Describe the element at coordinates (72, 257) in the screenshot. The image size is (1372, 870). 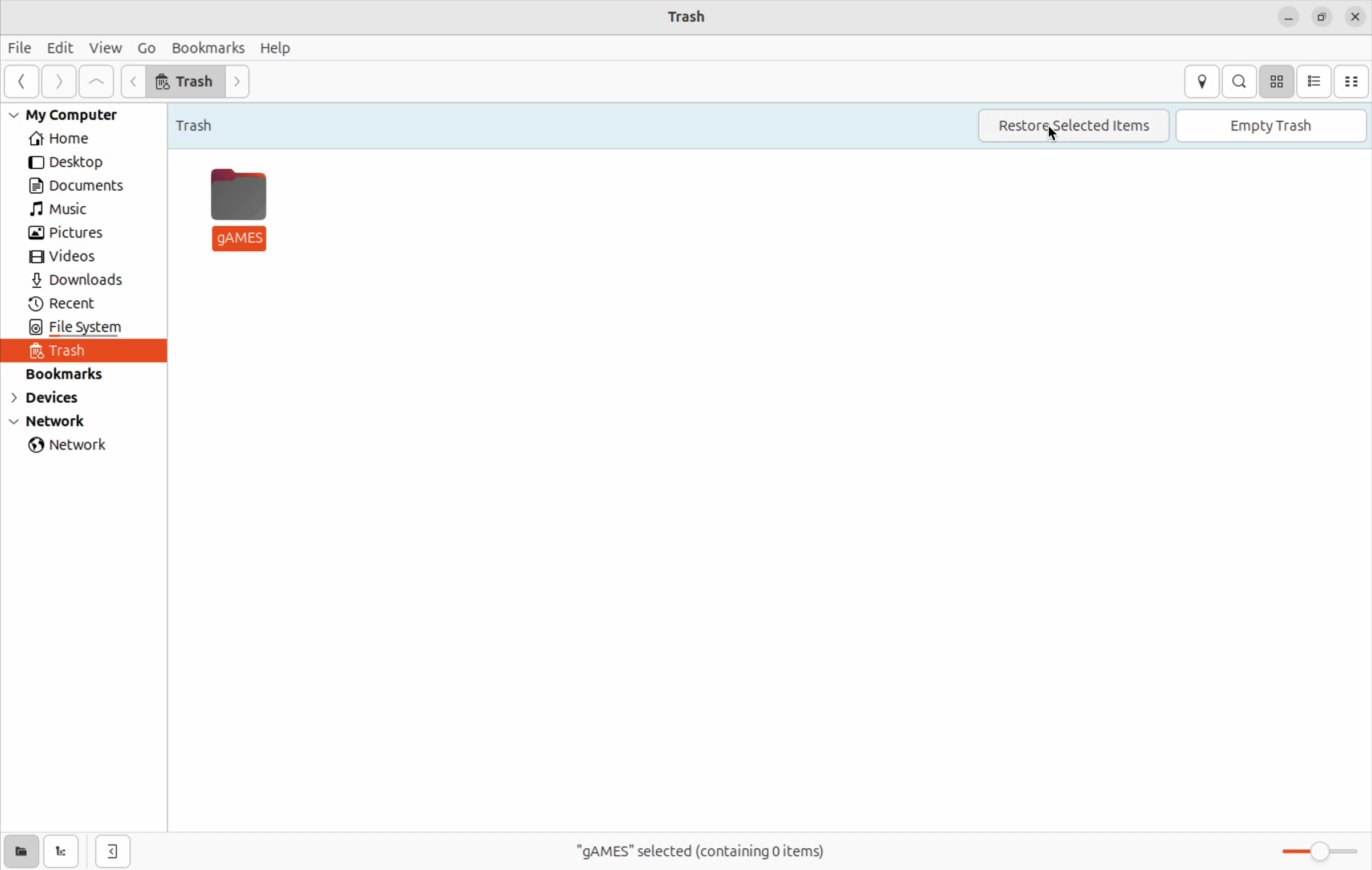
I see `videos` at that location.